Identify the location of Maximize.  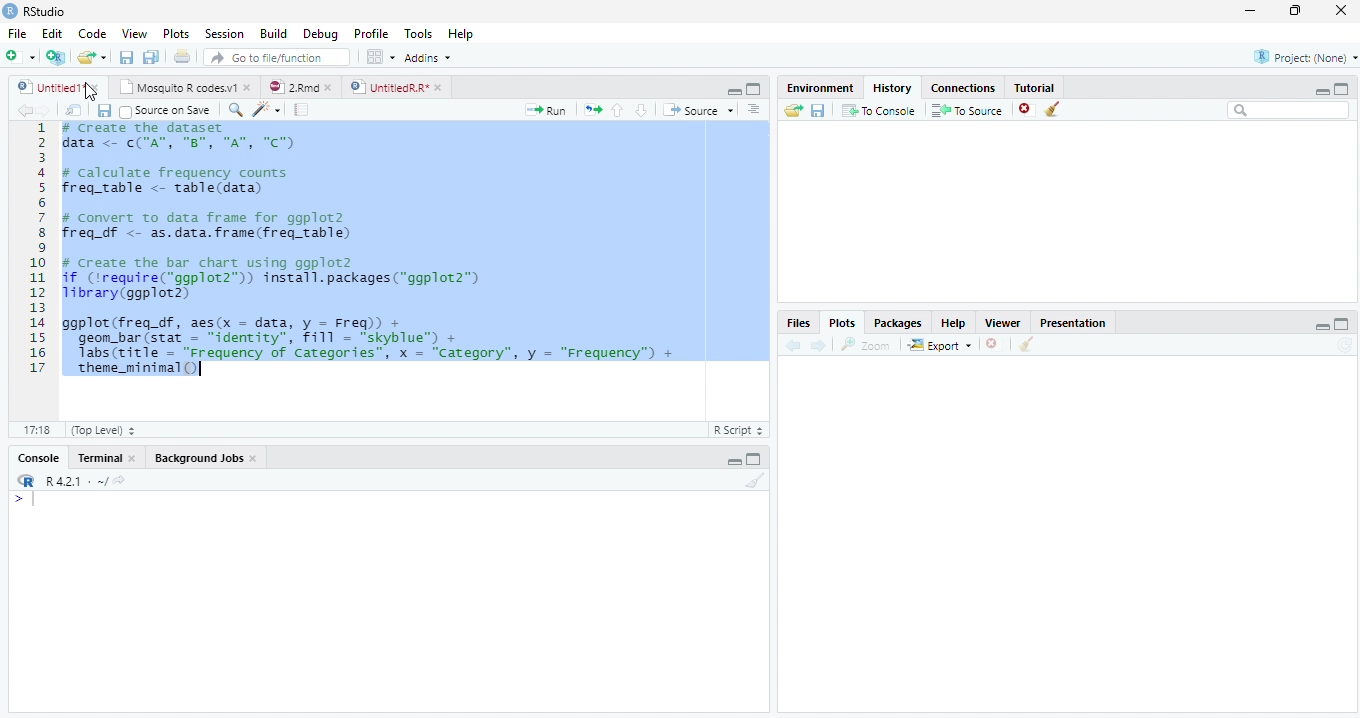
(753, 90).